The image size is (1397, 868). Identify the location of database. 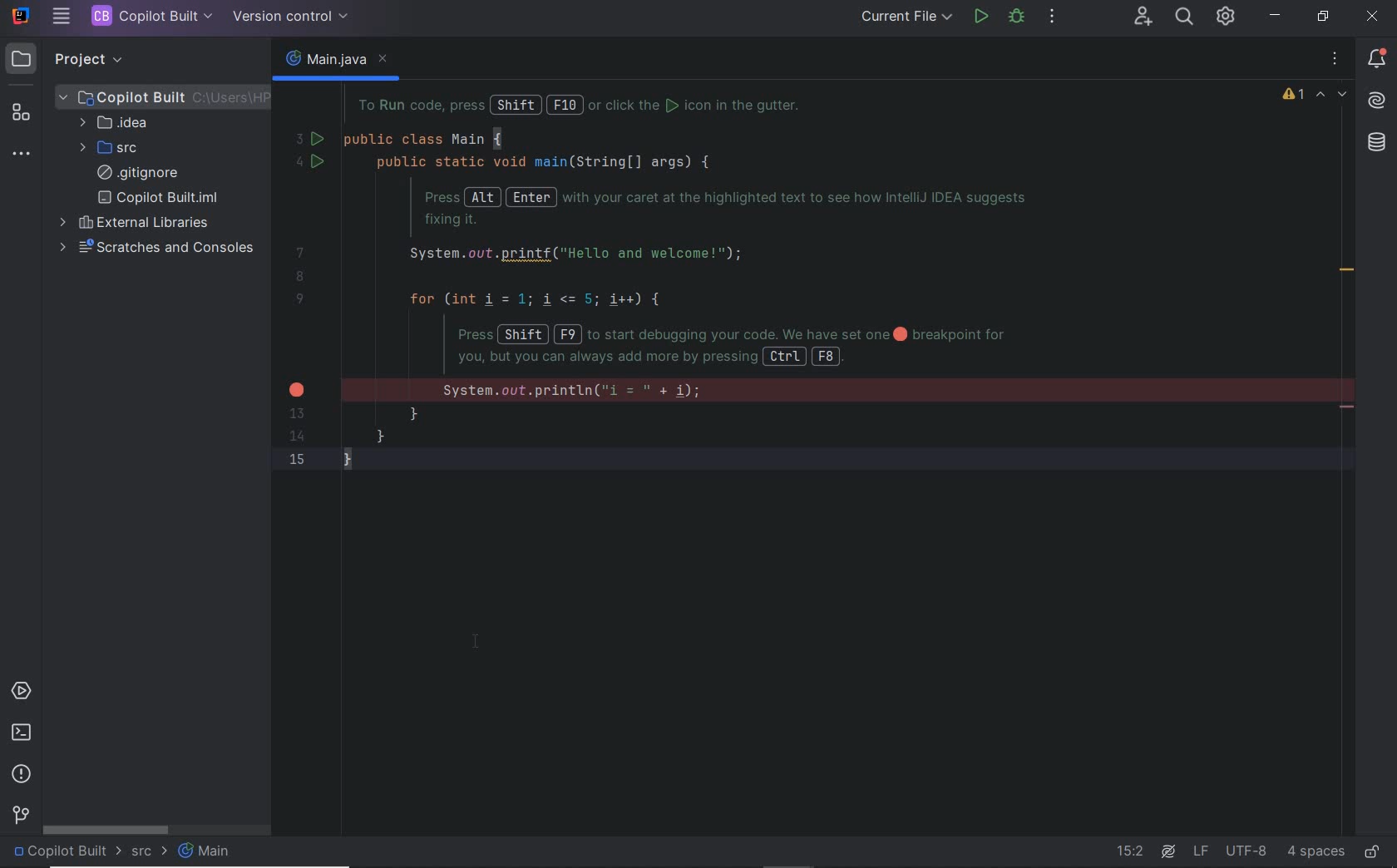
(1375, 145).